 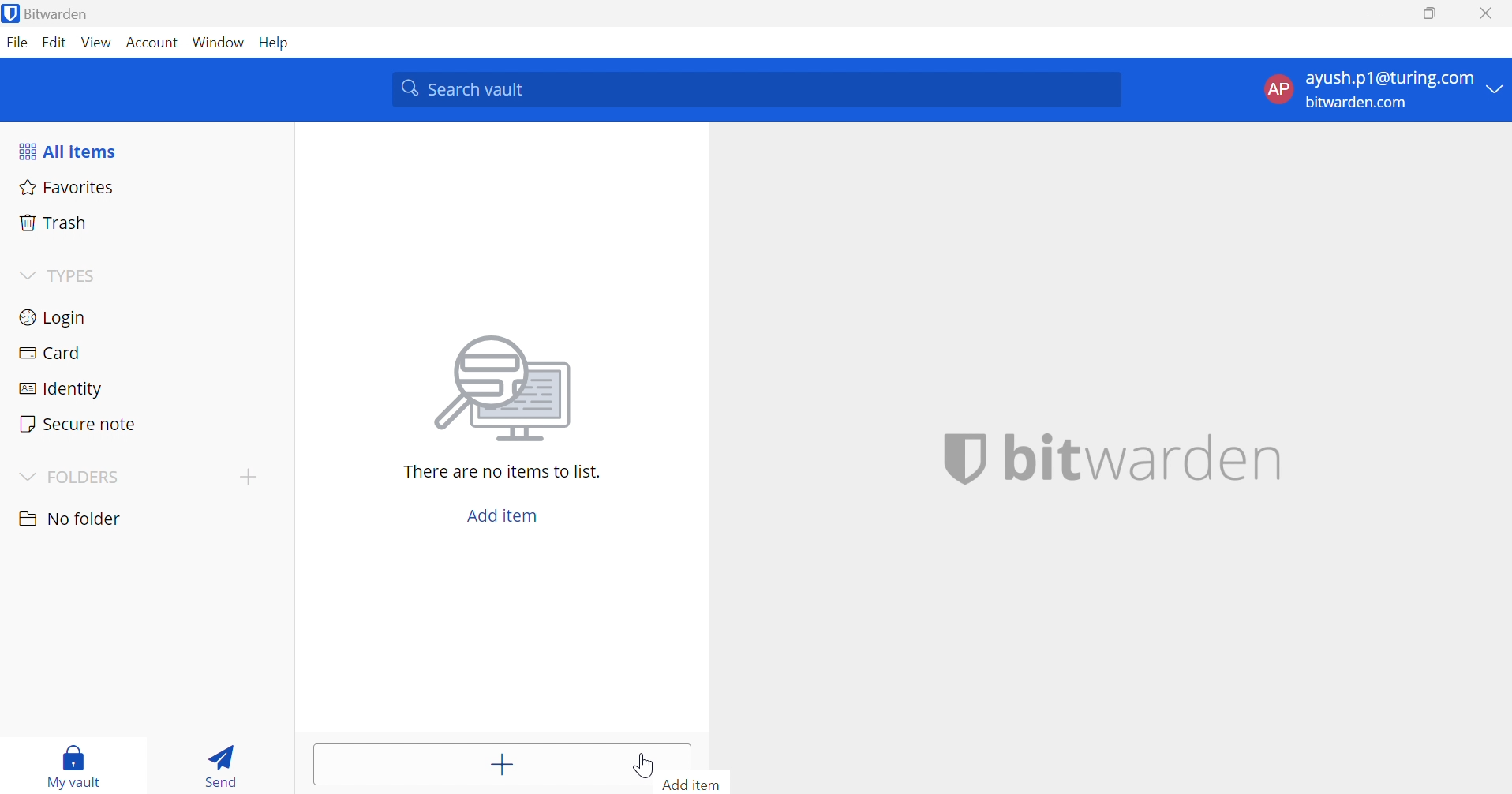 I want to click on My vault, so click(x=80, y=755).